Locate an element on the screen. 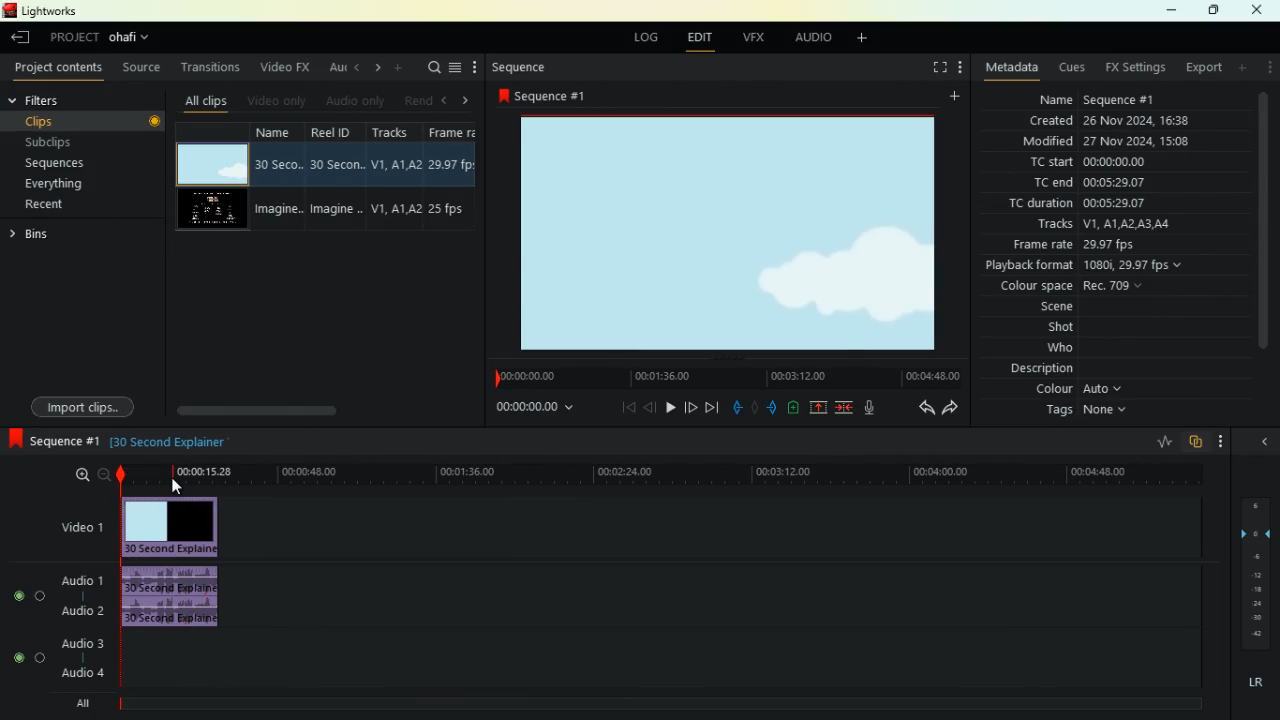 This screenshot has height=720, width=1280. maximize is located at coordinates (1215, 11).